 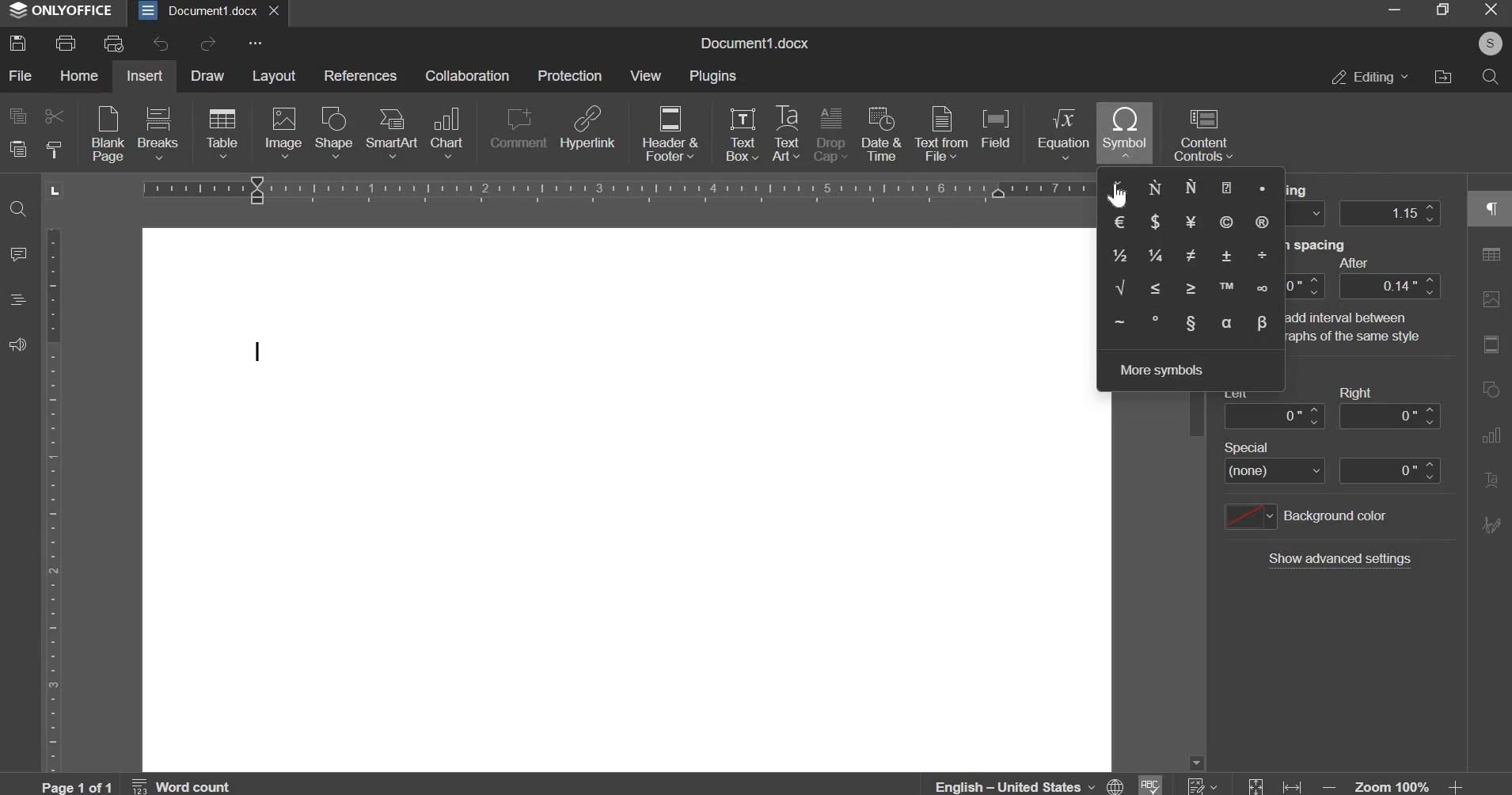 I want to click on numbering, so click(x=1199, y=785).